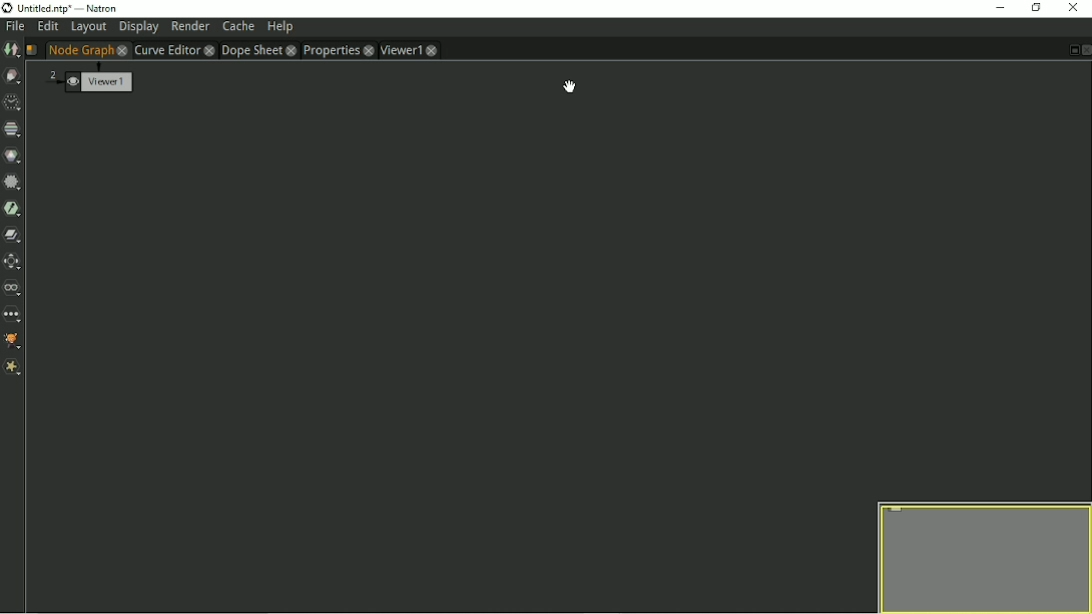 The height and width of the screenshot is (614, 1092). Describe the element at coordinates (166, 49) in the screenshot. I see `Curve Editor` at that location.